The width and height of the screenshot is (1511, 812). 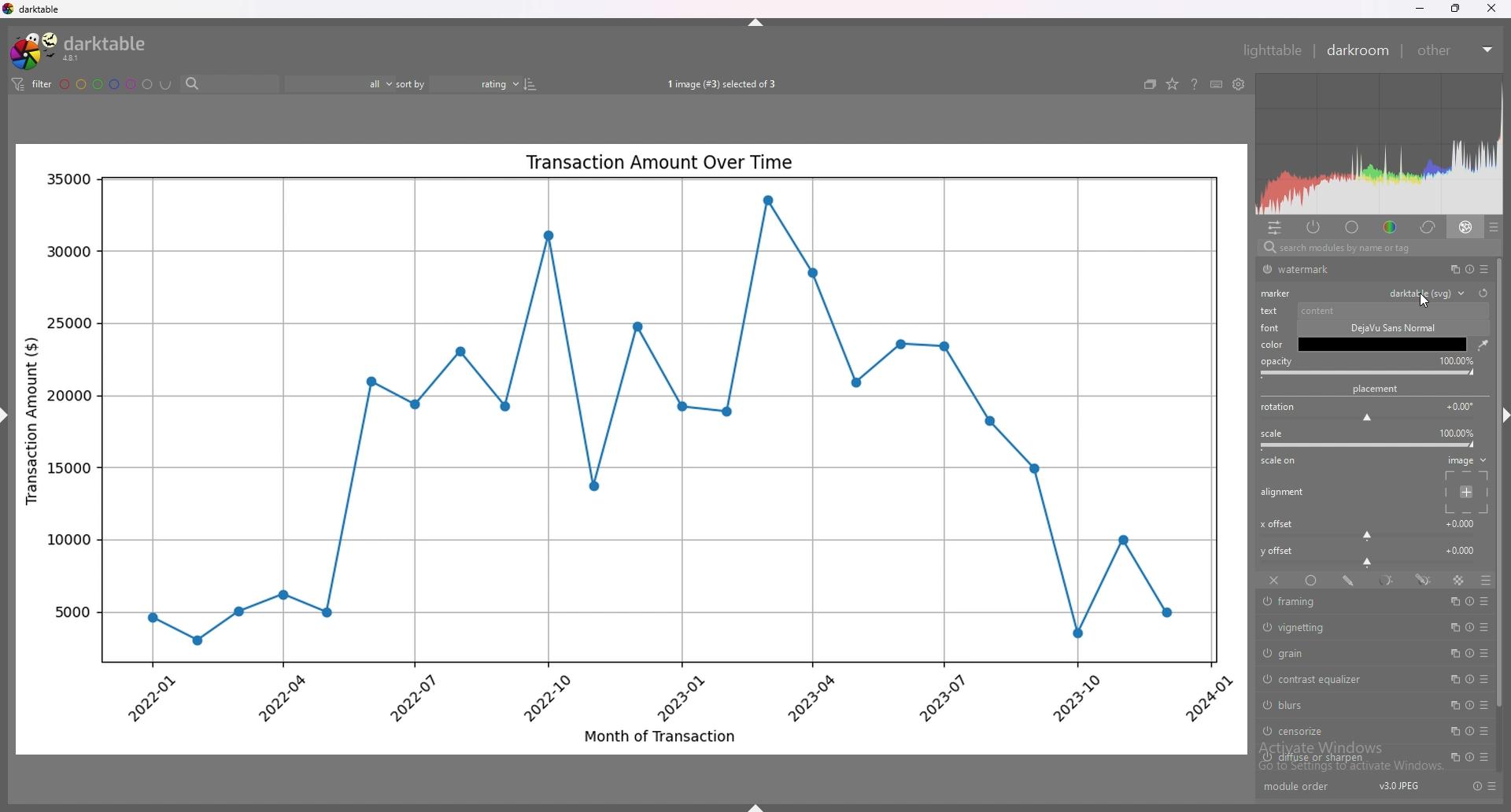 What do you see at coordinates (1486, 601) in the screenshot?
I see `presets` at bounding box center [1486, 601].